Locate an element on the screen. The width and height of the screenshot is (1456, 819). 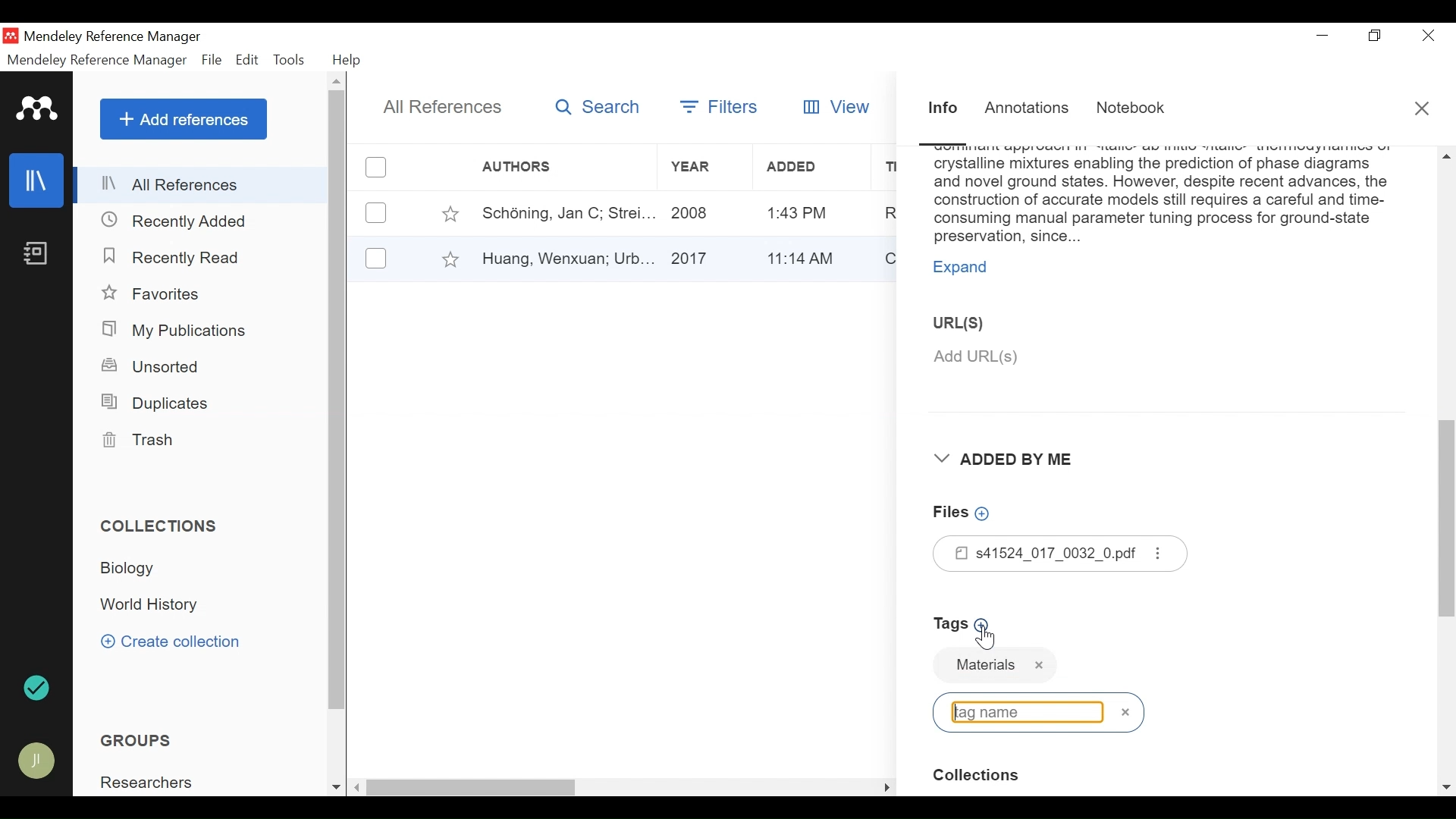
Scroll Right is located at coordinates (887, 787).